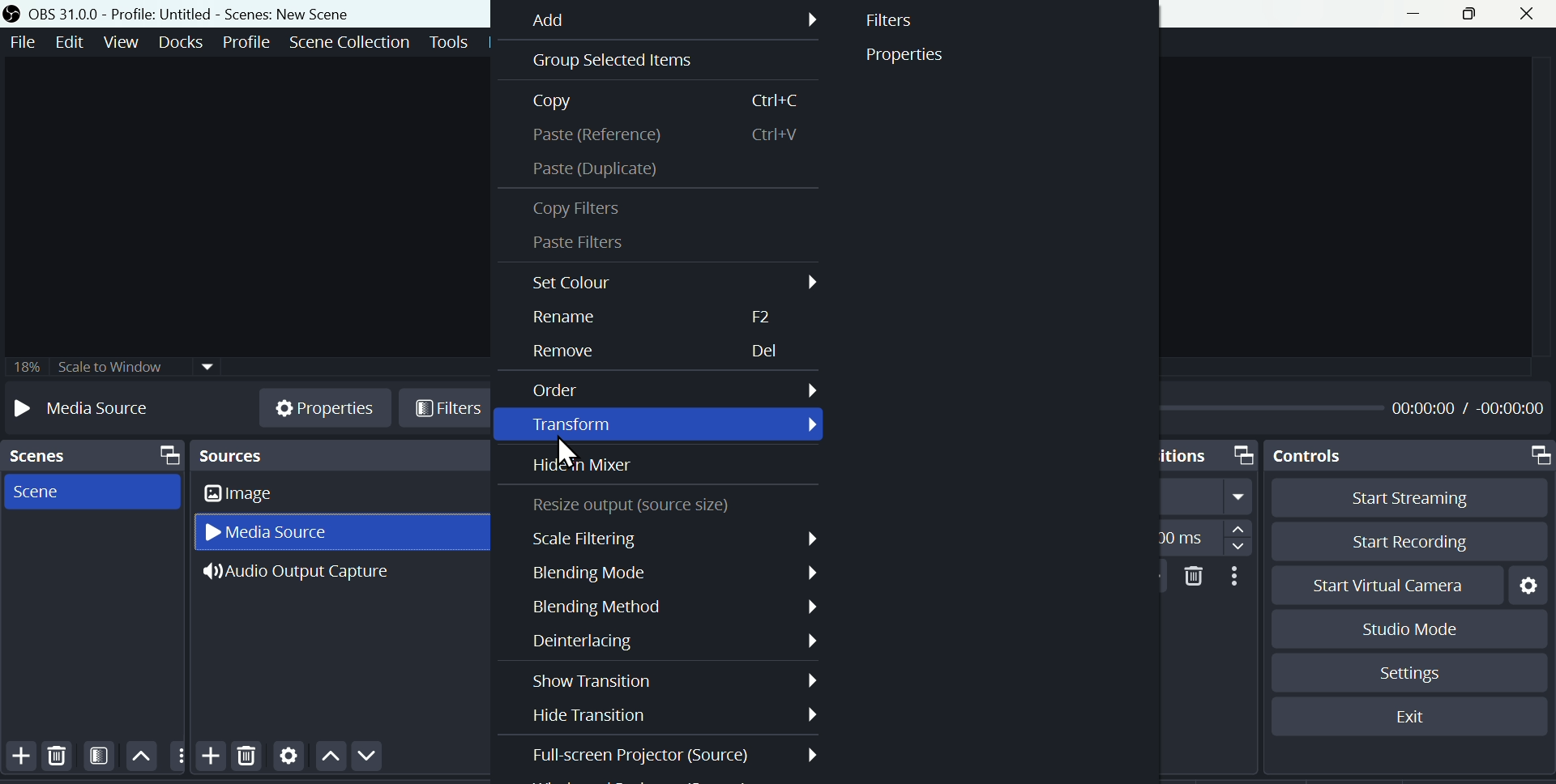 This screenshot has width=1556, height=784. Describe the element at coordinates (1208, 535) in the screenshot. I see `Duration` at that location.